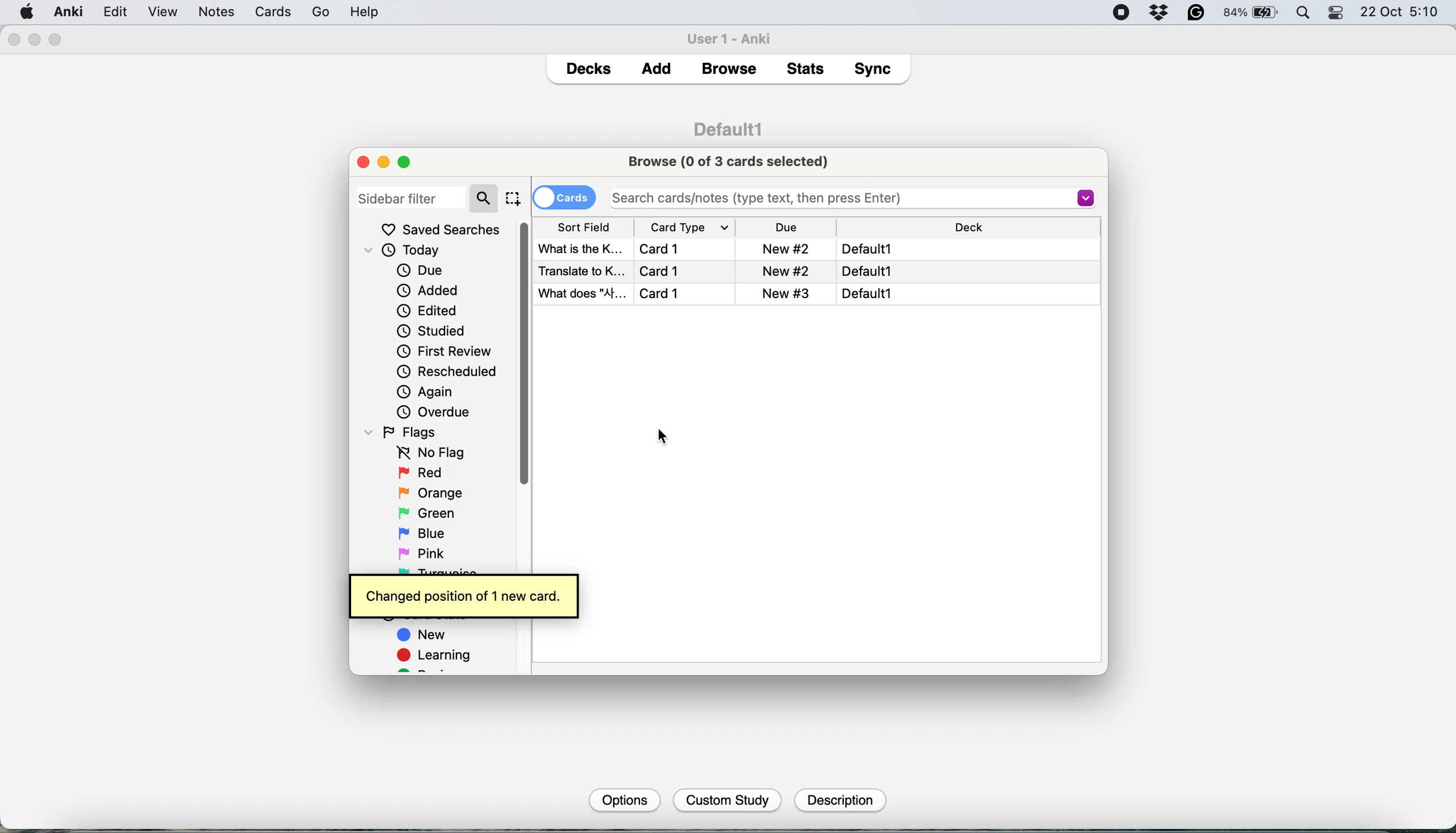 Image resolution: width=1456 pixels, height=833 pixels. I want to click on learning, so click(438, 657).